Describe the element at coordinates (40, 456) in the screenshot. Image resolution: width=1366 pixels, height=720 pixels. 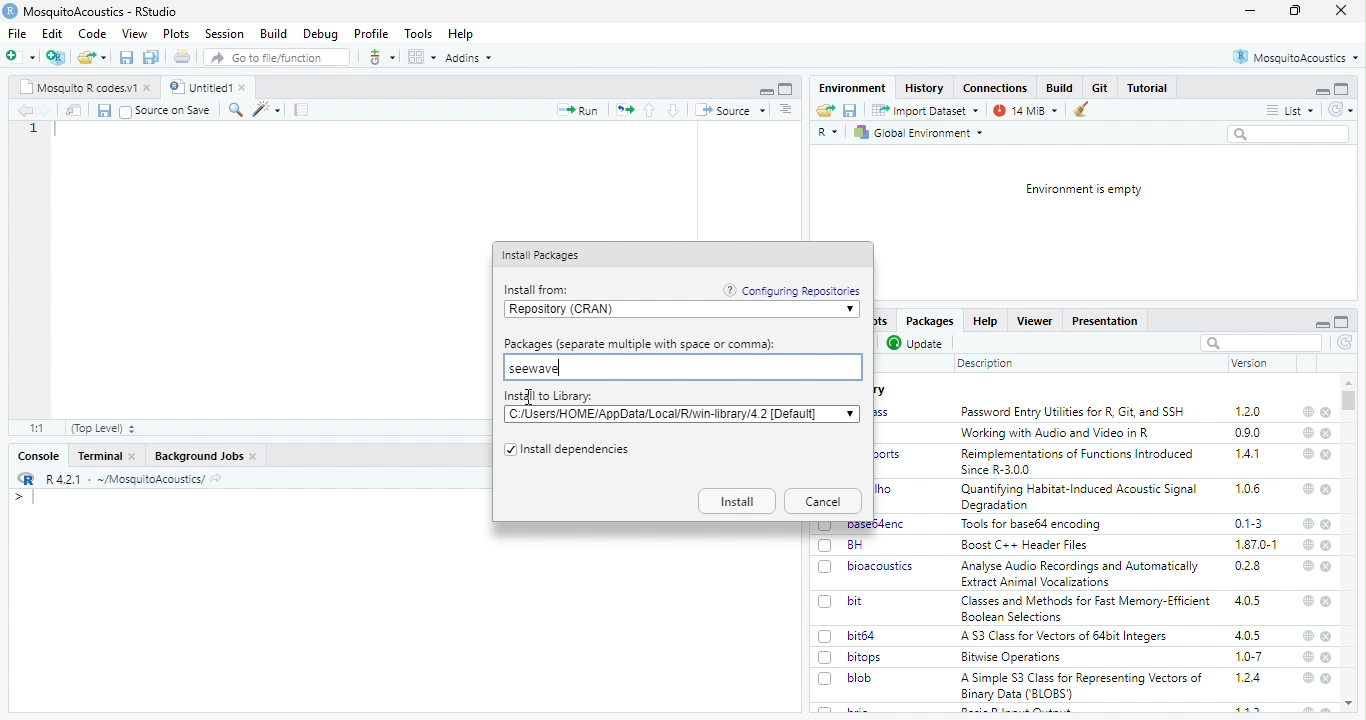
I see `Console` at that location.